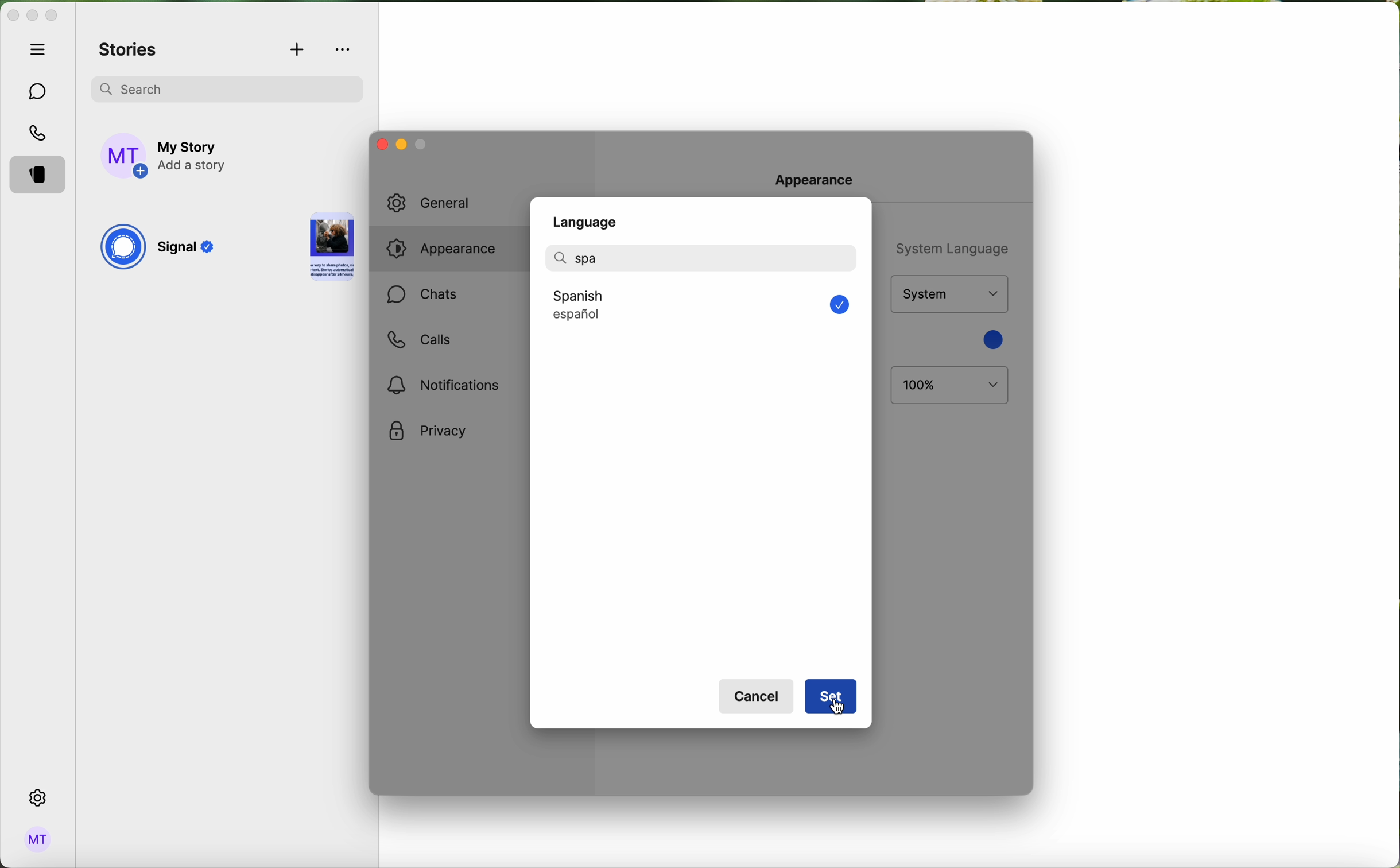  What do you see at coordinates (949, 247) in the screenshot?
I see `system language` at bounding box center [949, 247].